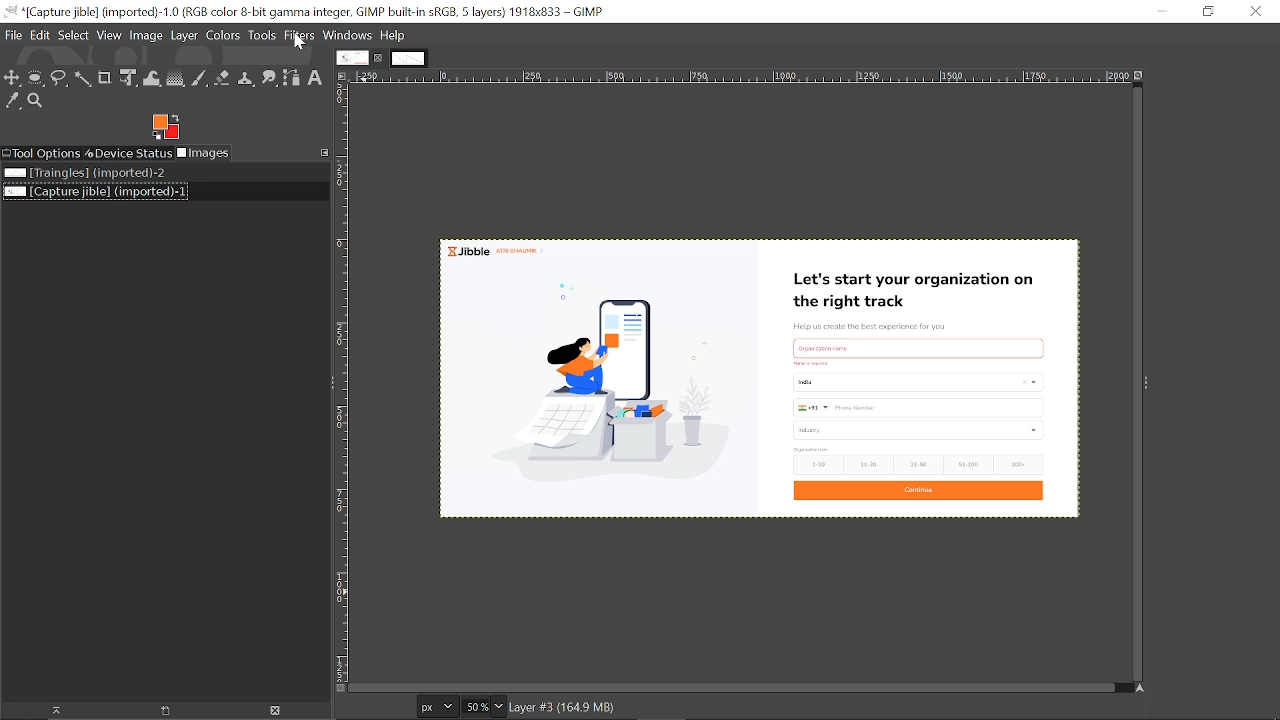 The height and width of the screenshot is (720, 1280). What do you see at coordinates (393, 35) in the screenshot?
I see `Help` at bounding box center [393, 35].